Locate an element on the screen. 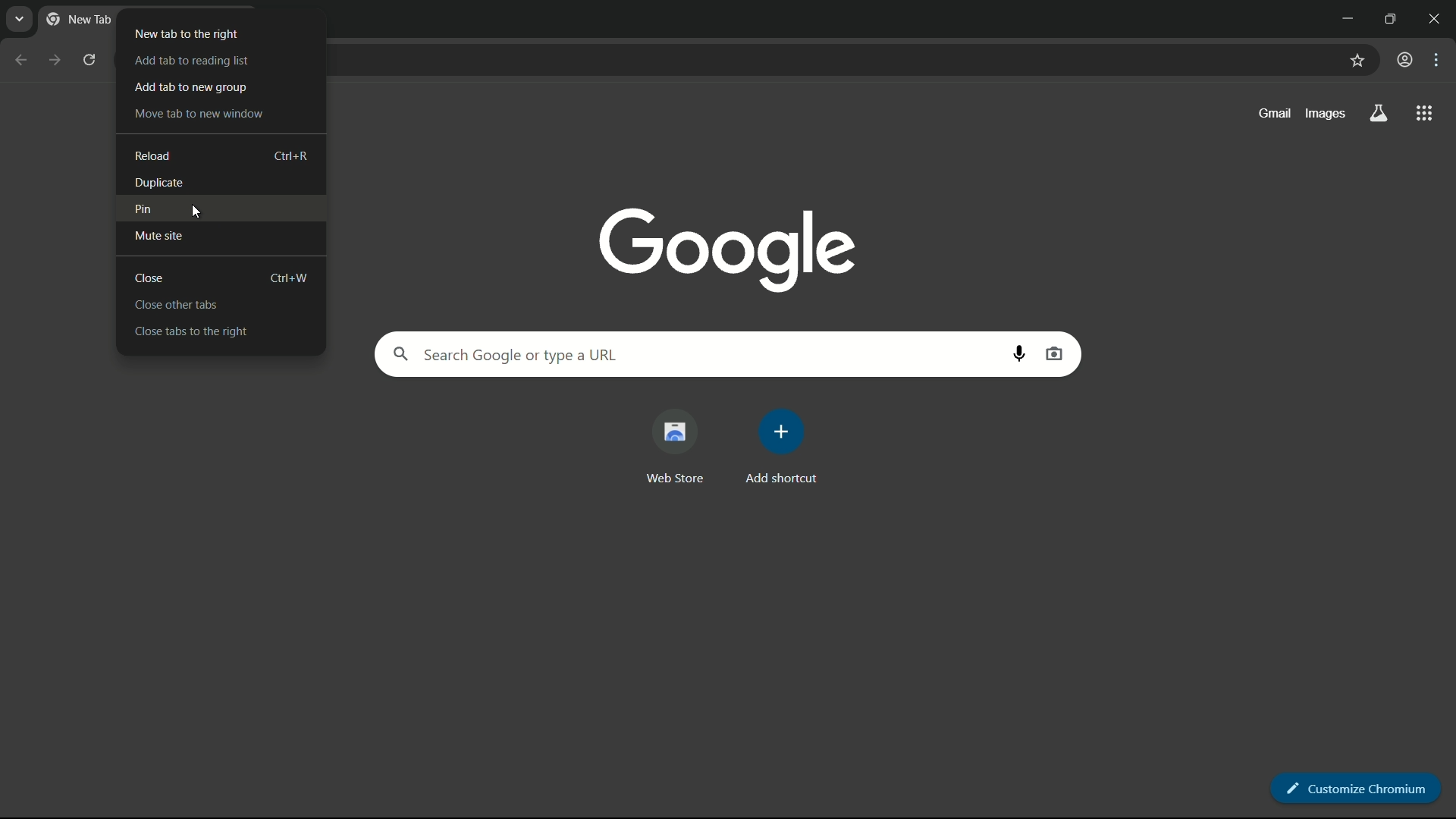 This screenshot has width=1456, height=819. new tab is located at coordinates (79, 17).